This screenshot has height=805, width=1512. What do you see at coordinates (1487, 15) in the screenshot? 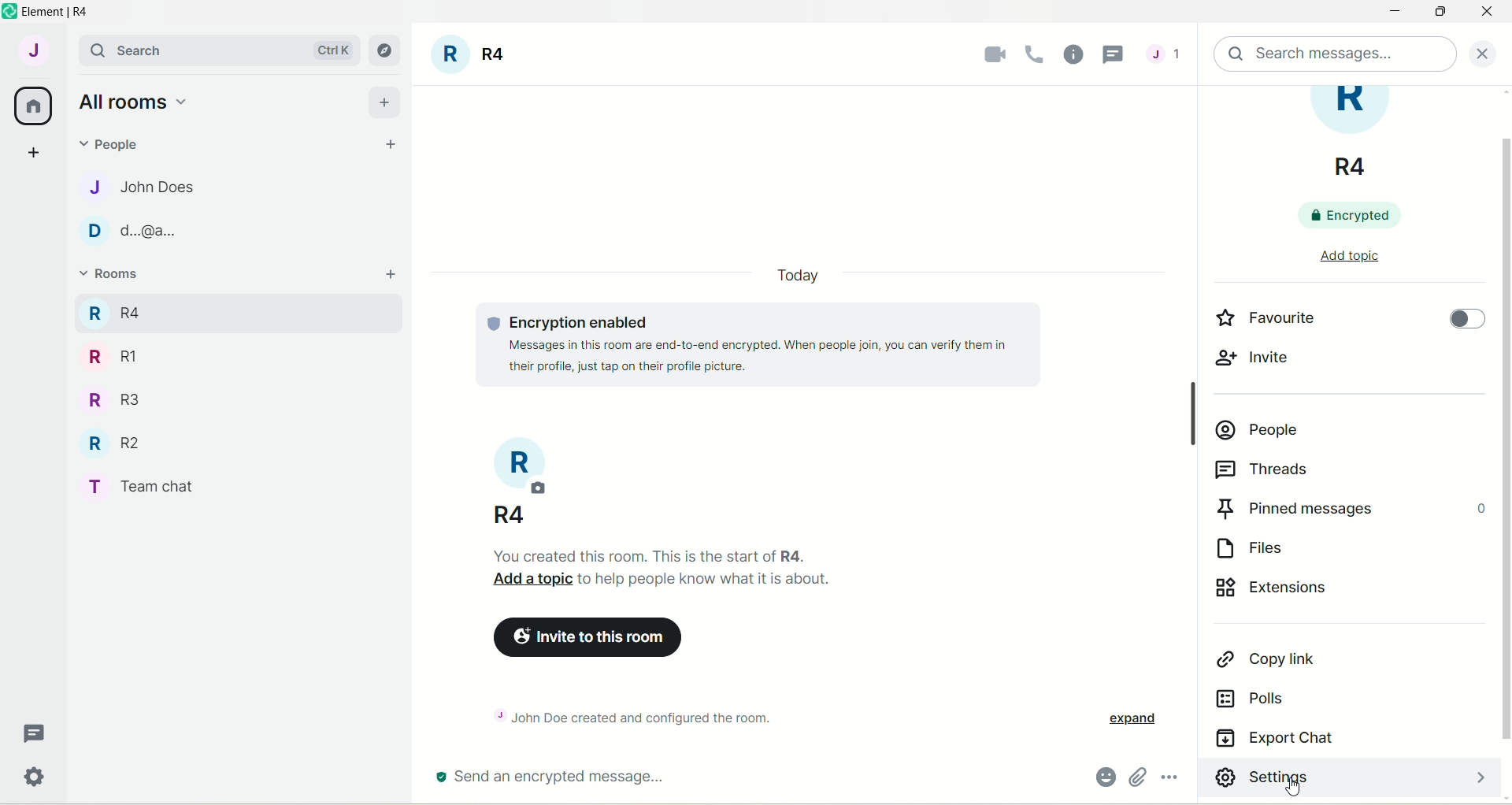
I see `close` at bounding box center [1487, 15].